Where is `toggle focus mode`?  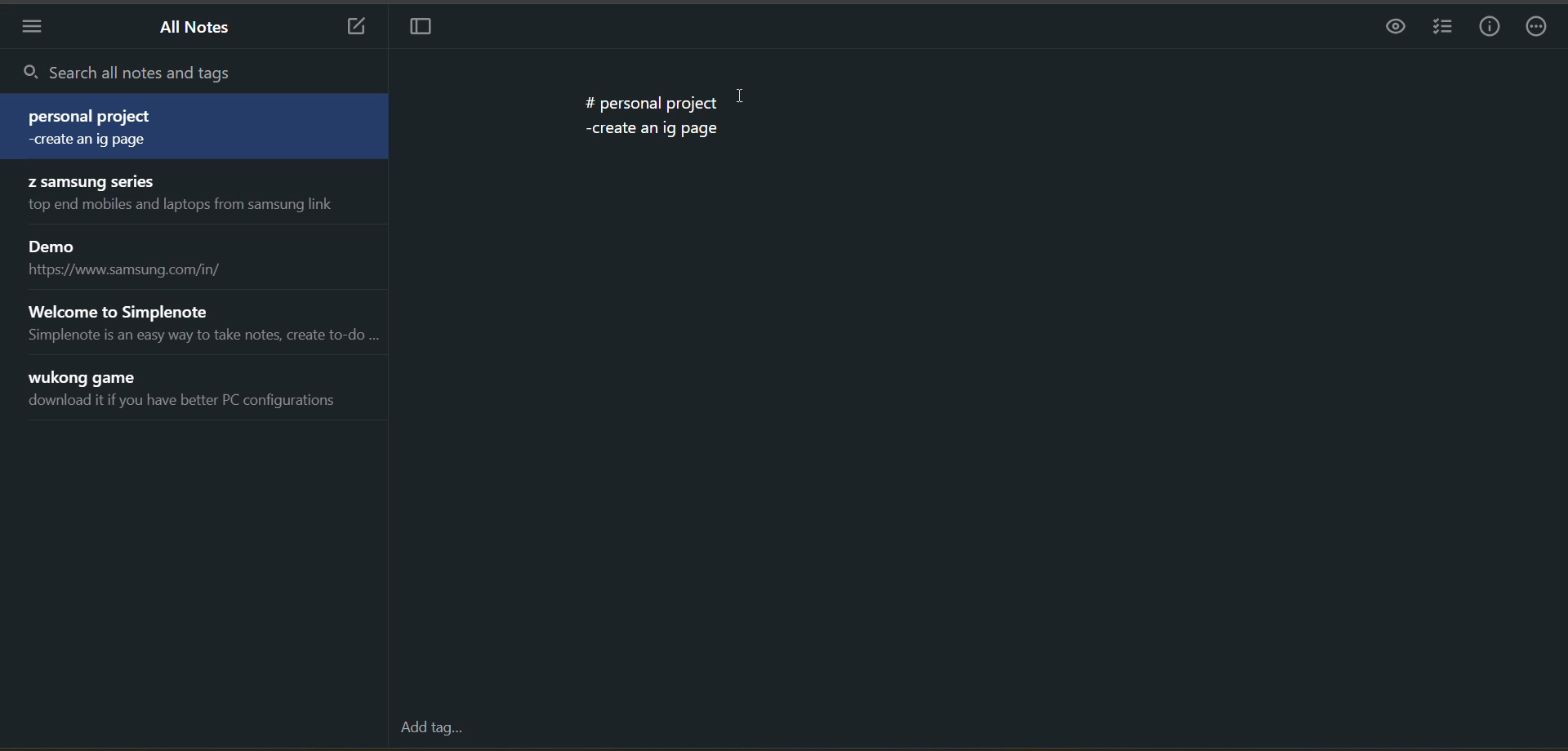 toggle focus mode is located at coordinates (422, 29).